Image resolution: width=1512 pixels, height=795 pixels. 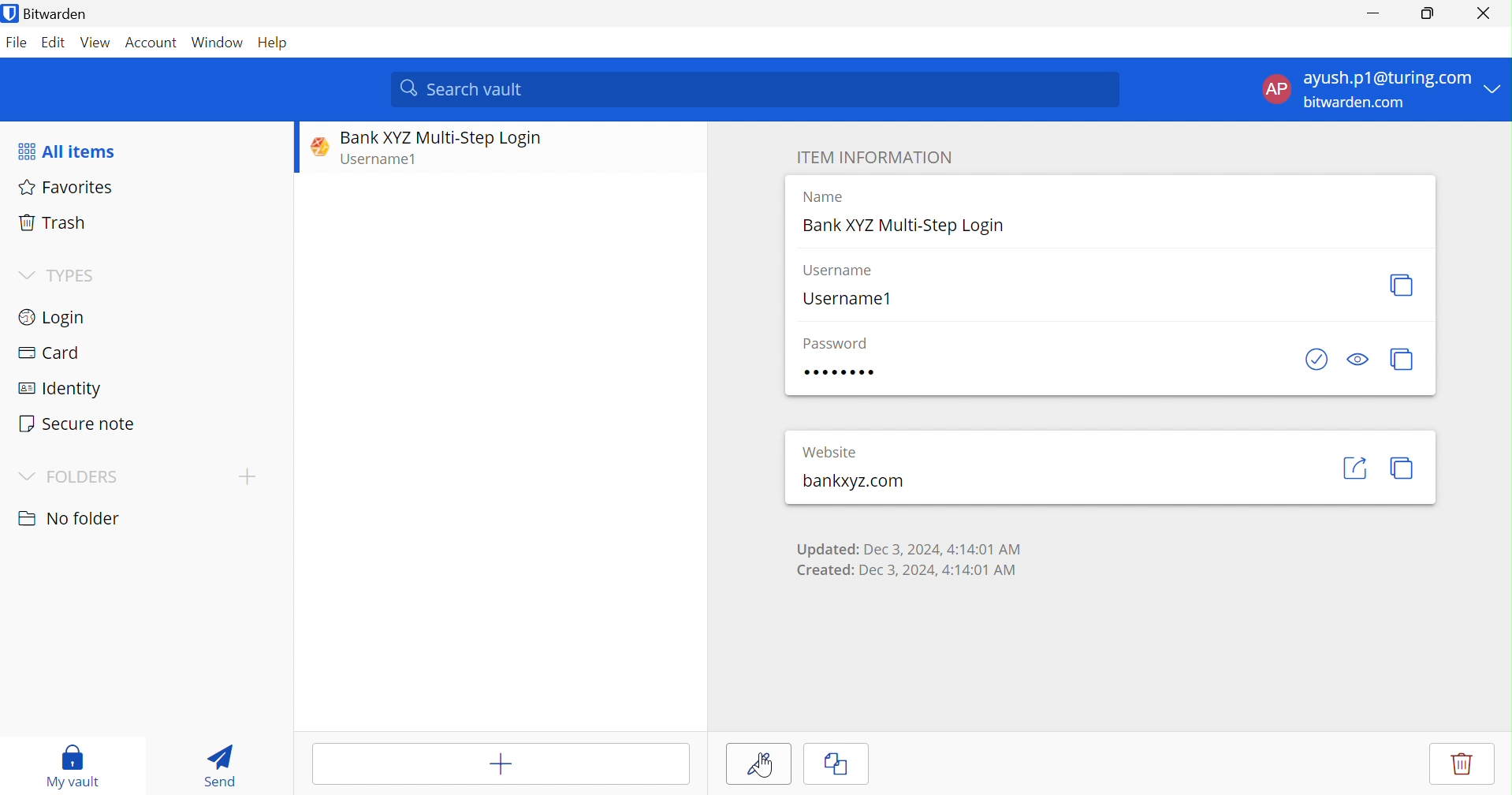 What do you see at coordinates (386, 161) in the screenshot?
I see `Username1` at bounding box center [386, 161].